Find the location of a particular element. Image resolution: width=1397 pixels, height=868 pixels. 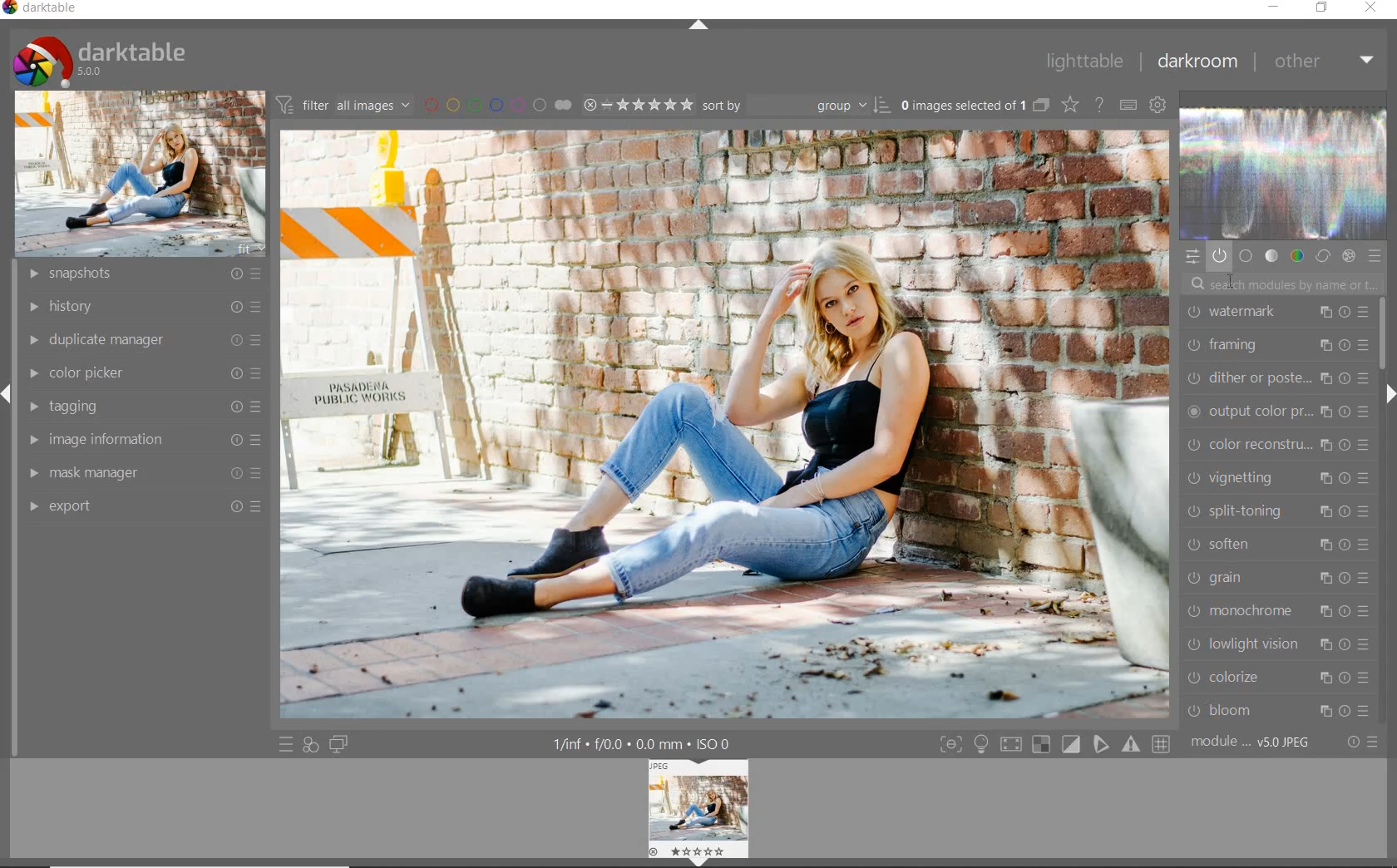

minimize is located at coordinates (1274, 8).